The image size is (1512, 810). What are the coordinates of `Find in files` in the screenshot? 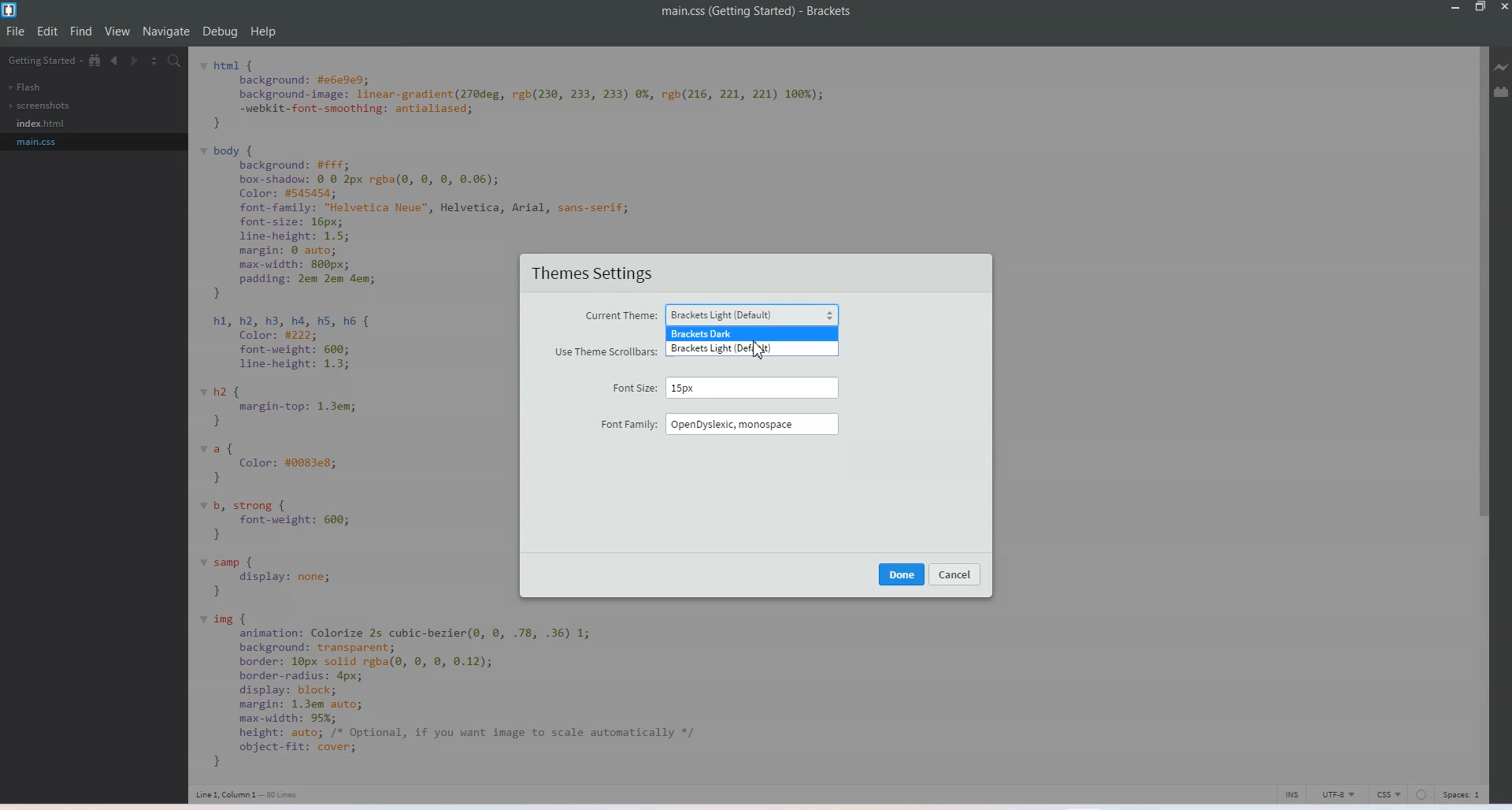 It's located at (175, 61).